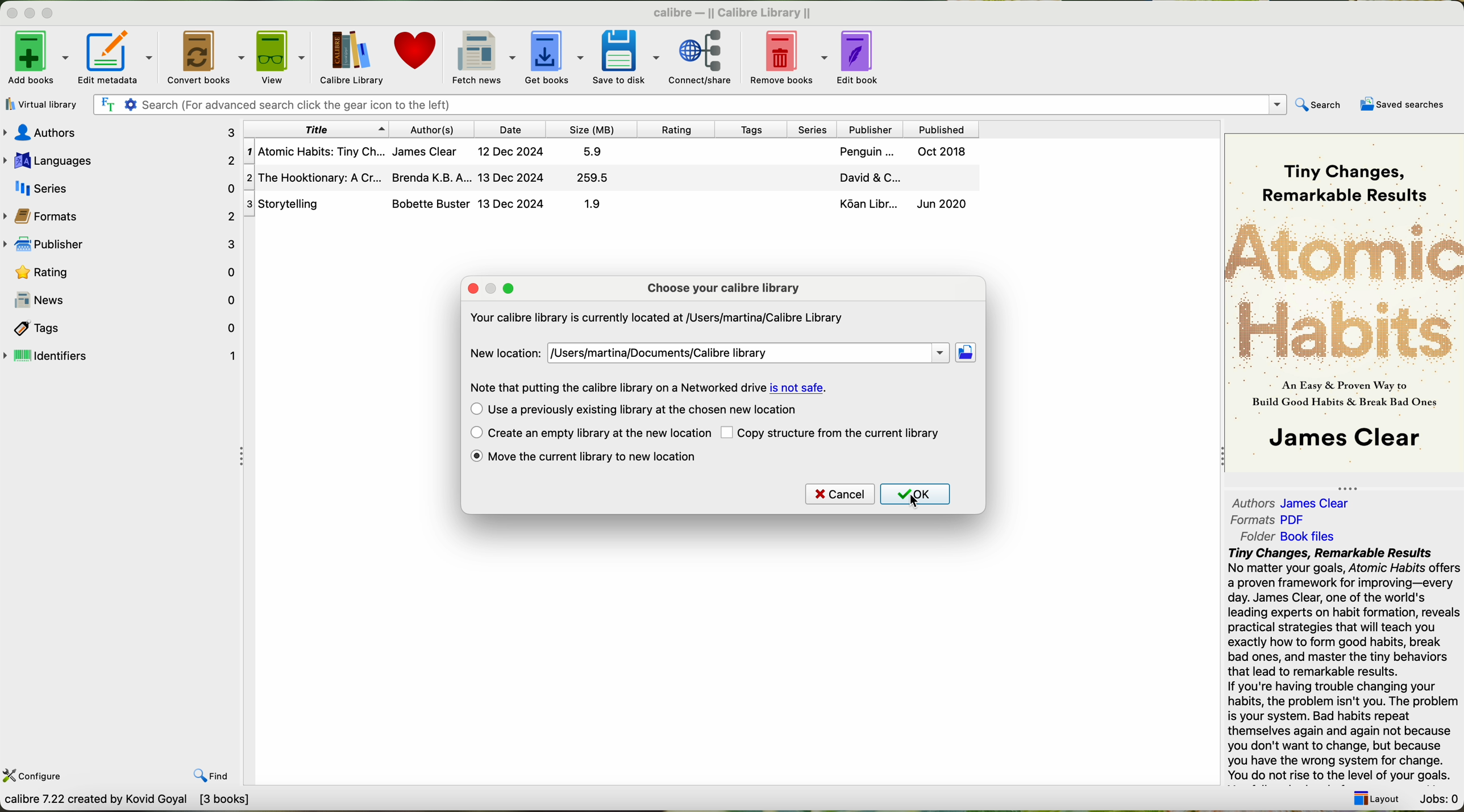  What do you see at coordinates (656, 317) in the screenshot?
I see `your calibre library is currently located at user/martina/Calibre Library` at bounding box center [656, 317].